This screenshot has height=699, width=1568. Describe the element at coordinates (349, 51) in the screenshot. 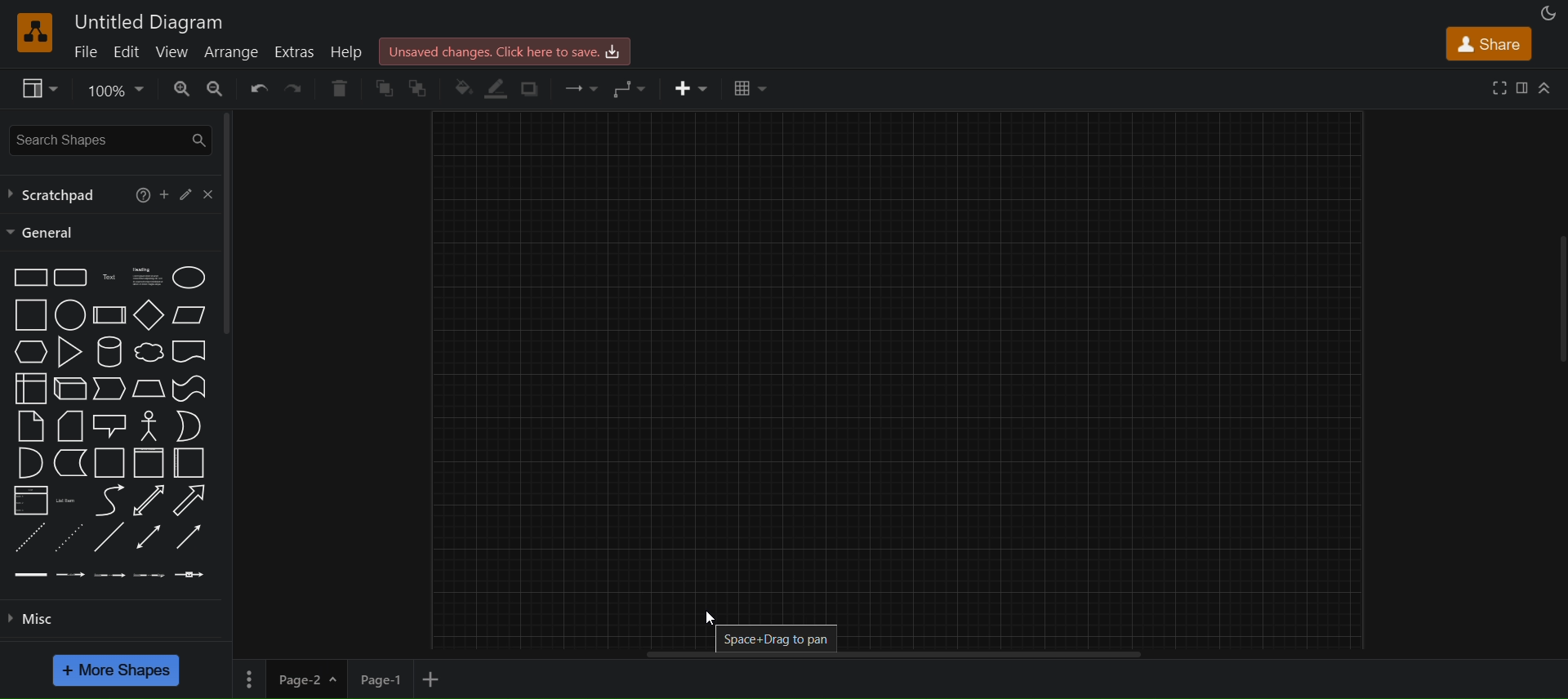

I see `help` at that location.